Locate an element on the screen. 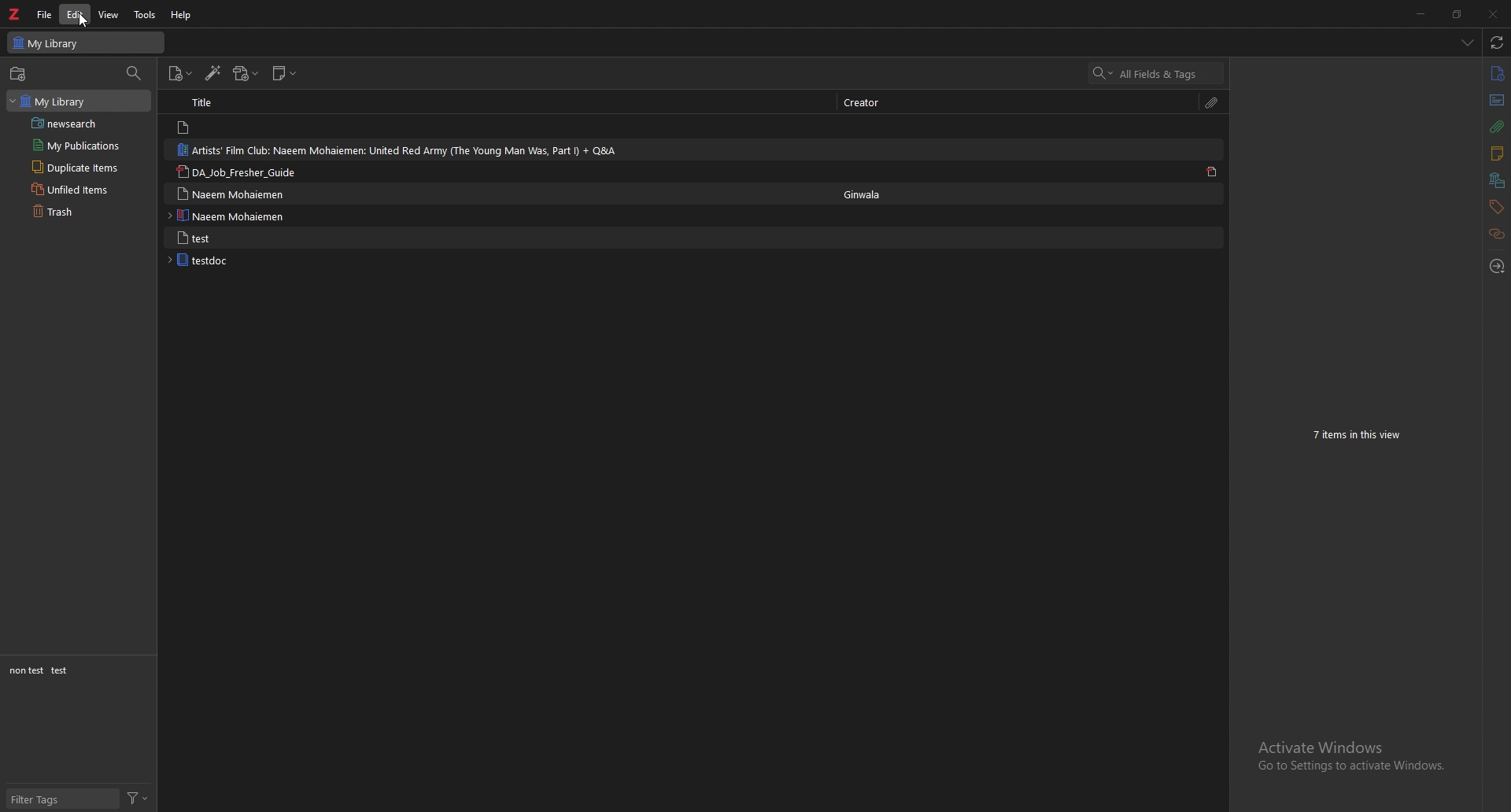 The height and width of the screenshot is (812, 1511). creator is located at coordinates (871, 101).